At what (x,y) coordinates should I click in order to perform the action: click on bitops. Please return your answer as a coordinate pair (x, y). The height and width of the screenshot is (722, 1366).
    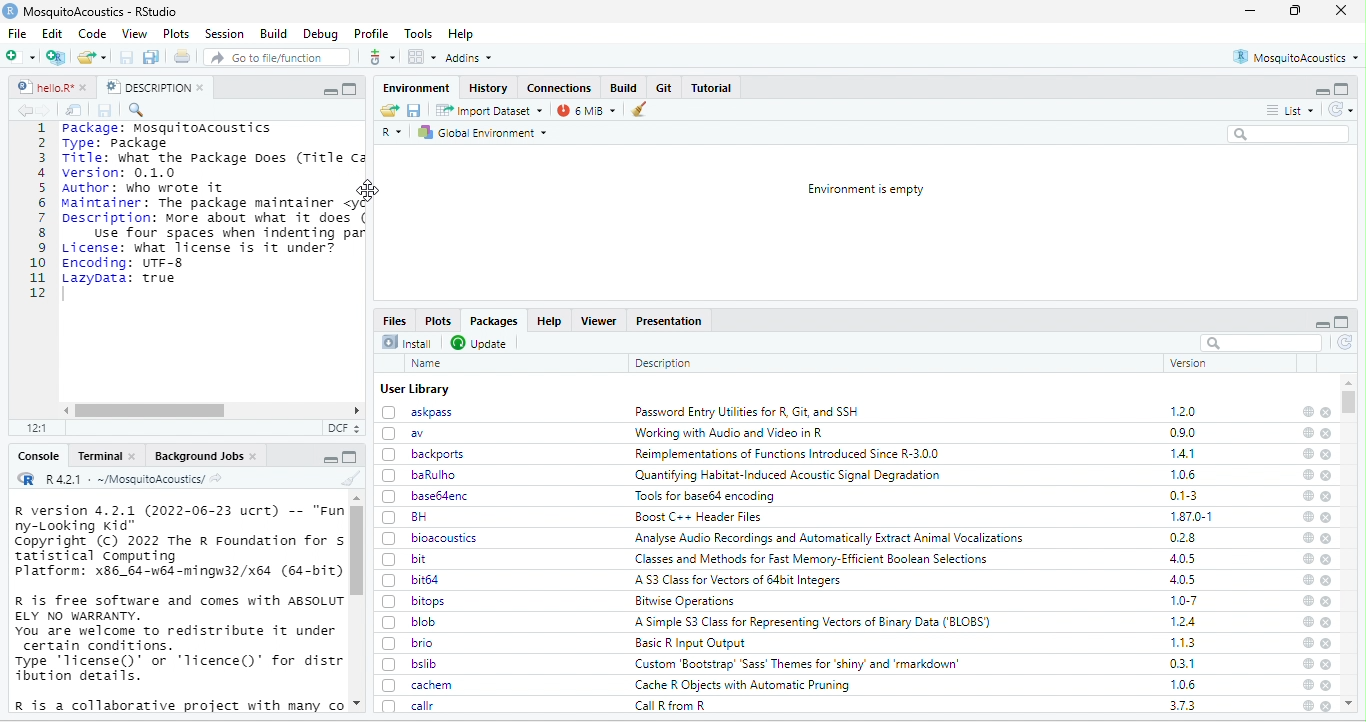
    Looking at the image, I should click on (414, 601).